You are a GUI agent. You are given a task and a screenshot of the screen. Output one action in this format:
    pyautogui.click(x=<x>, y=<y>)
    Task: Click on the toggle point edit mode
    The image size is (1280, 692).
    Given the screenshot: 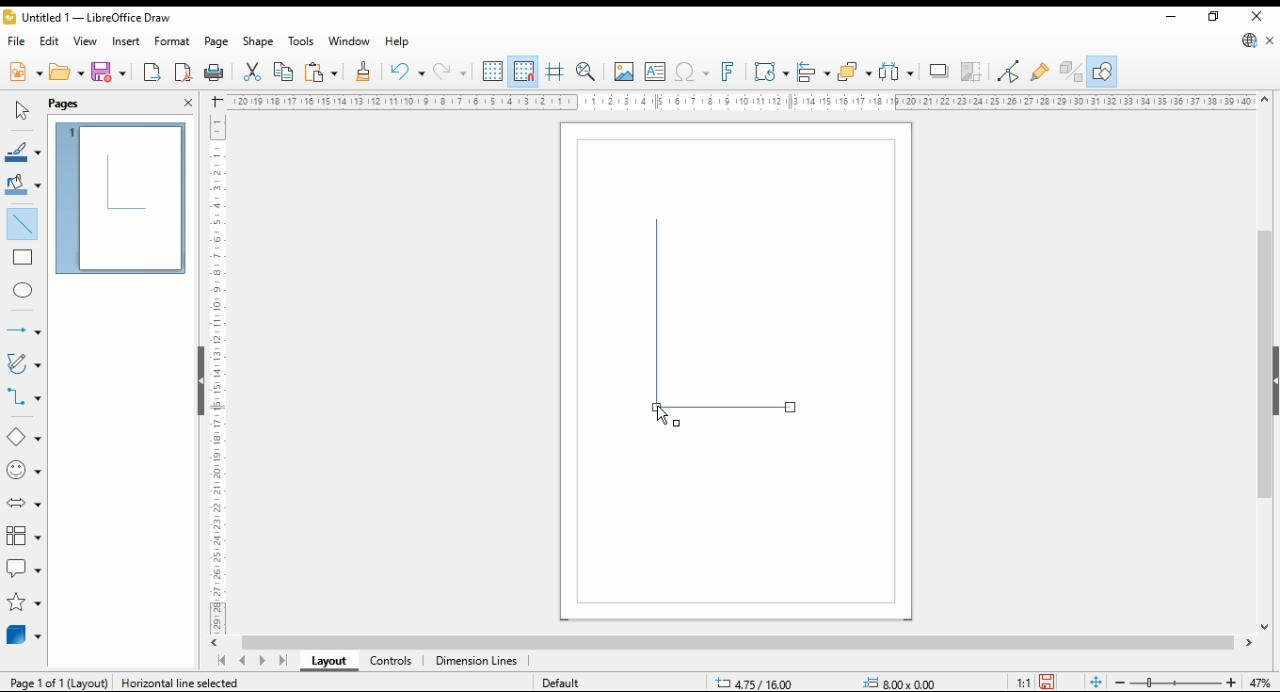 What is the action you would take?
    pyautogui.click(x=1010, y=71)
    